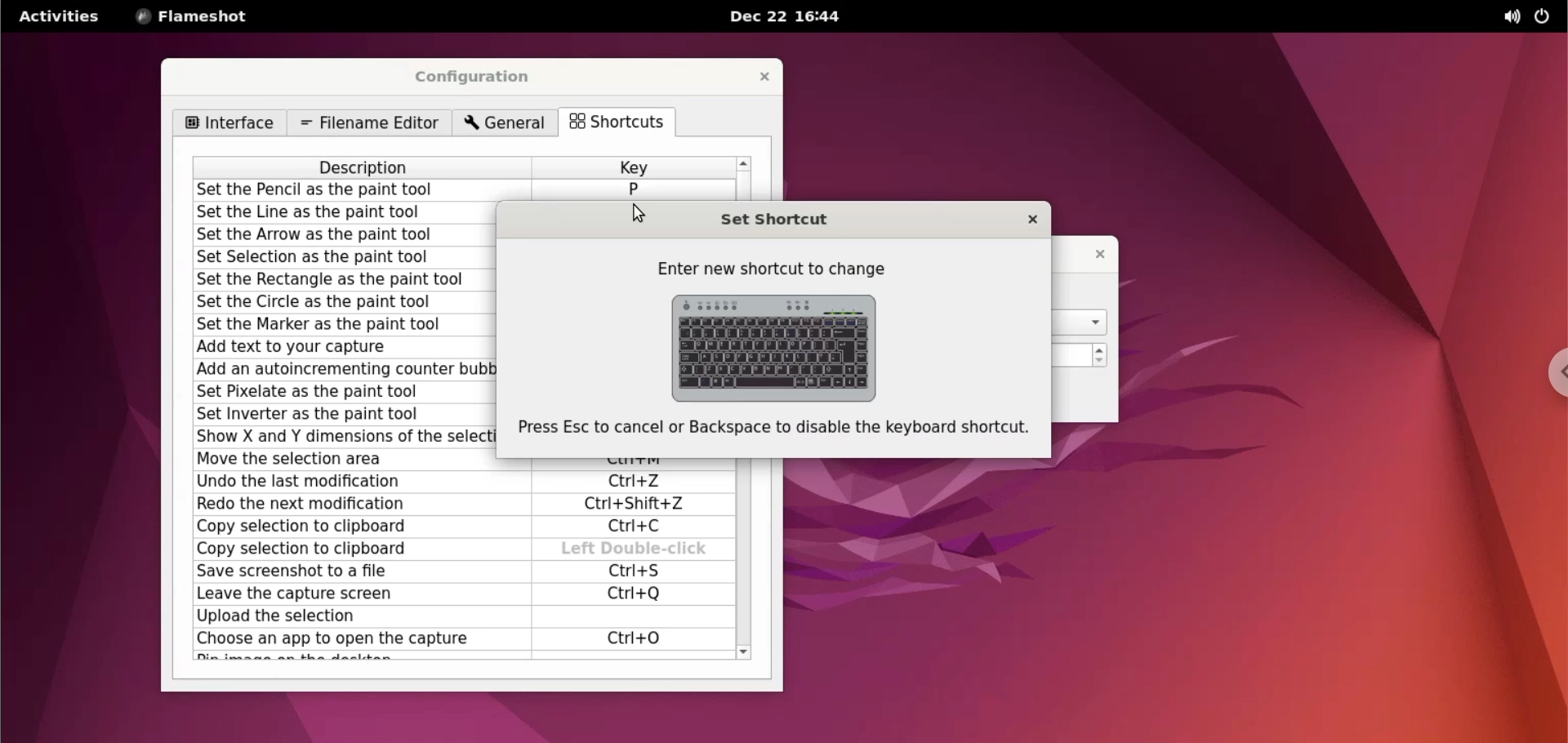 This screenshot has width=1568, height=743. I want to click on set selection as paint tool, so click(345, 258).